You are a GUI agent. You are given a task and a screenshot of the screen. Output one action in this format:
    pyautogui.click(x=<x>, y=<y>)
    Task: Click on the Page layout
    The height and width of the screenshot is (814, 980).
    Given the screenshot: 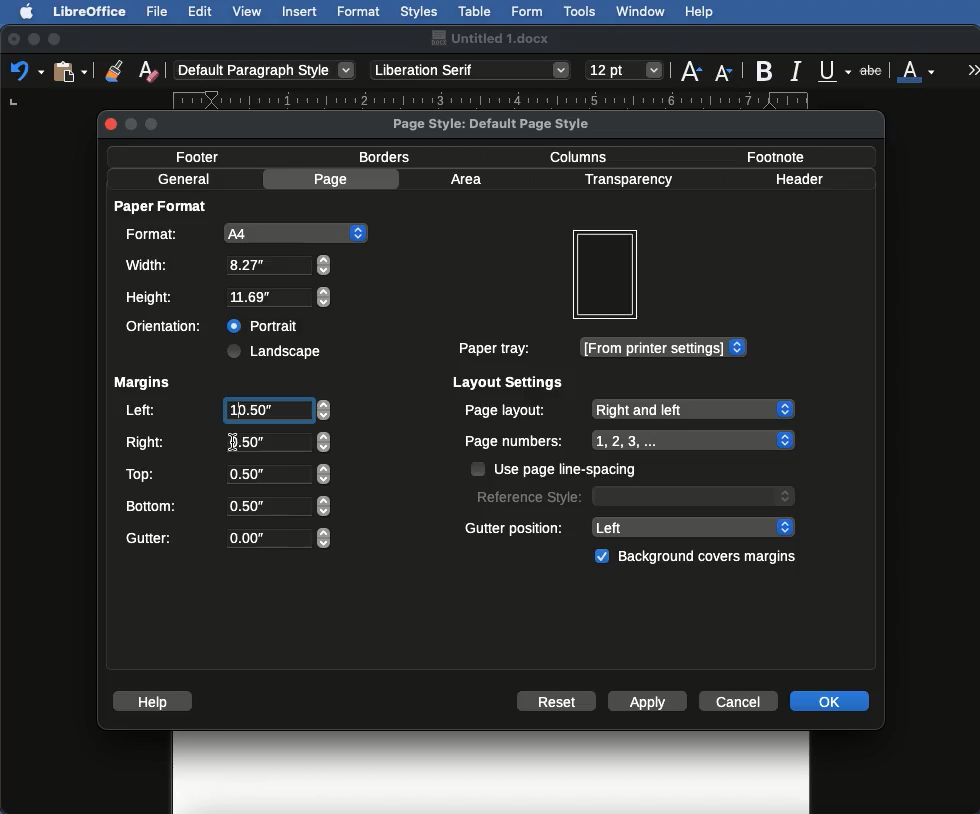 What is the action you would take?
    pyautogui.click(x=628, y=409)
    